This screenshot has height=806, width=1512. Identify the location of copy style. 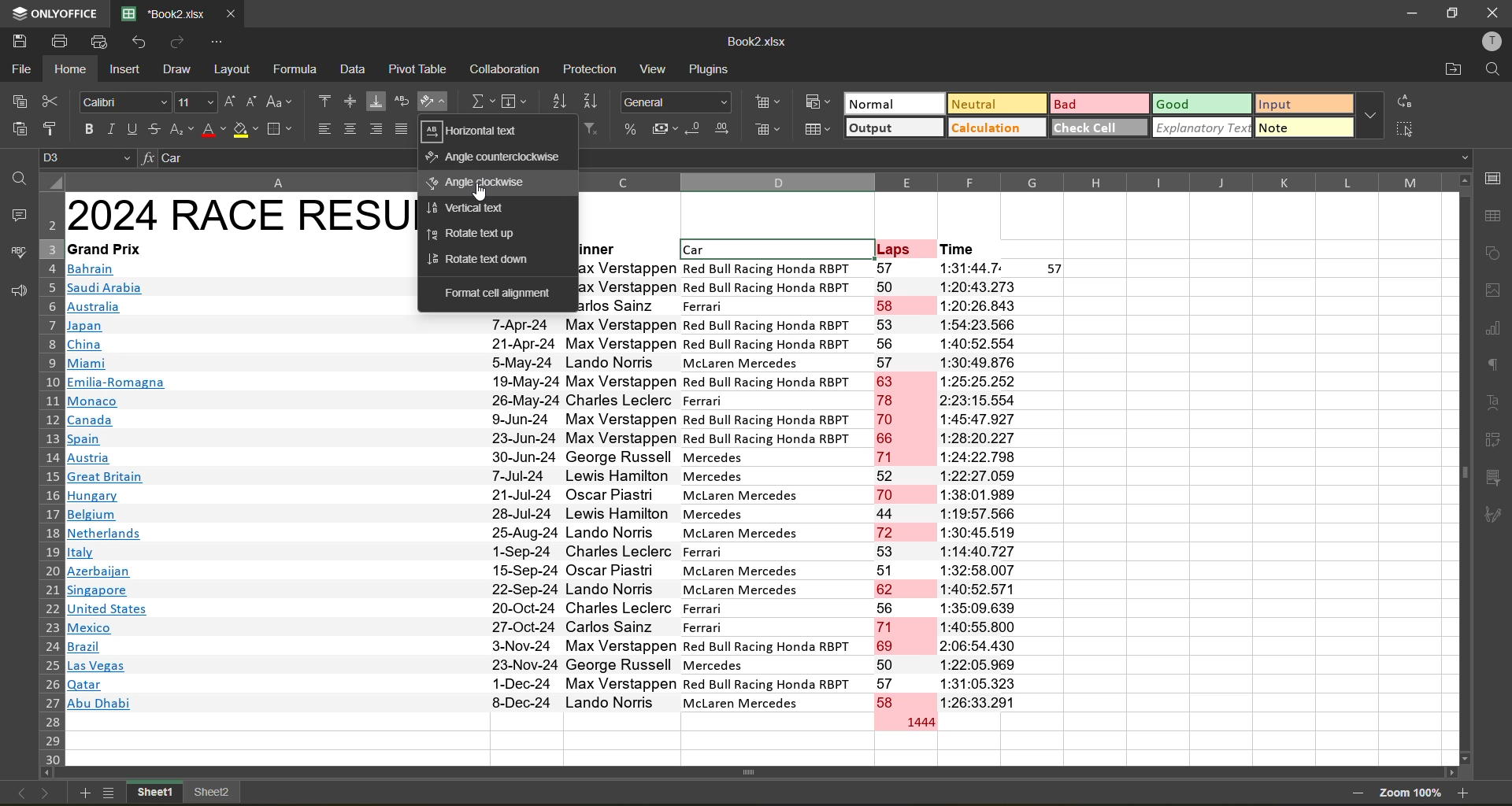
(52, 128).